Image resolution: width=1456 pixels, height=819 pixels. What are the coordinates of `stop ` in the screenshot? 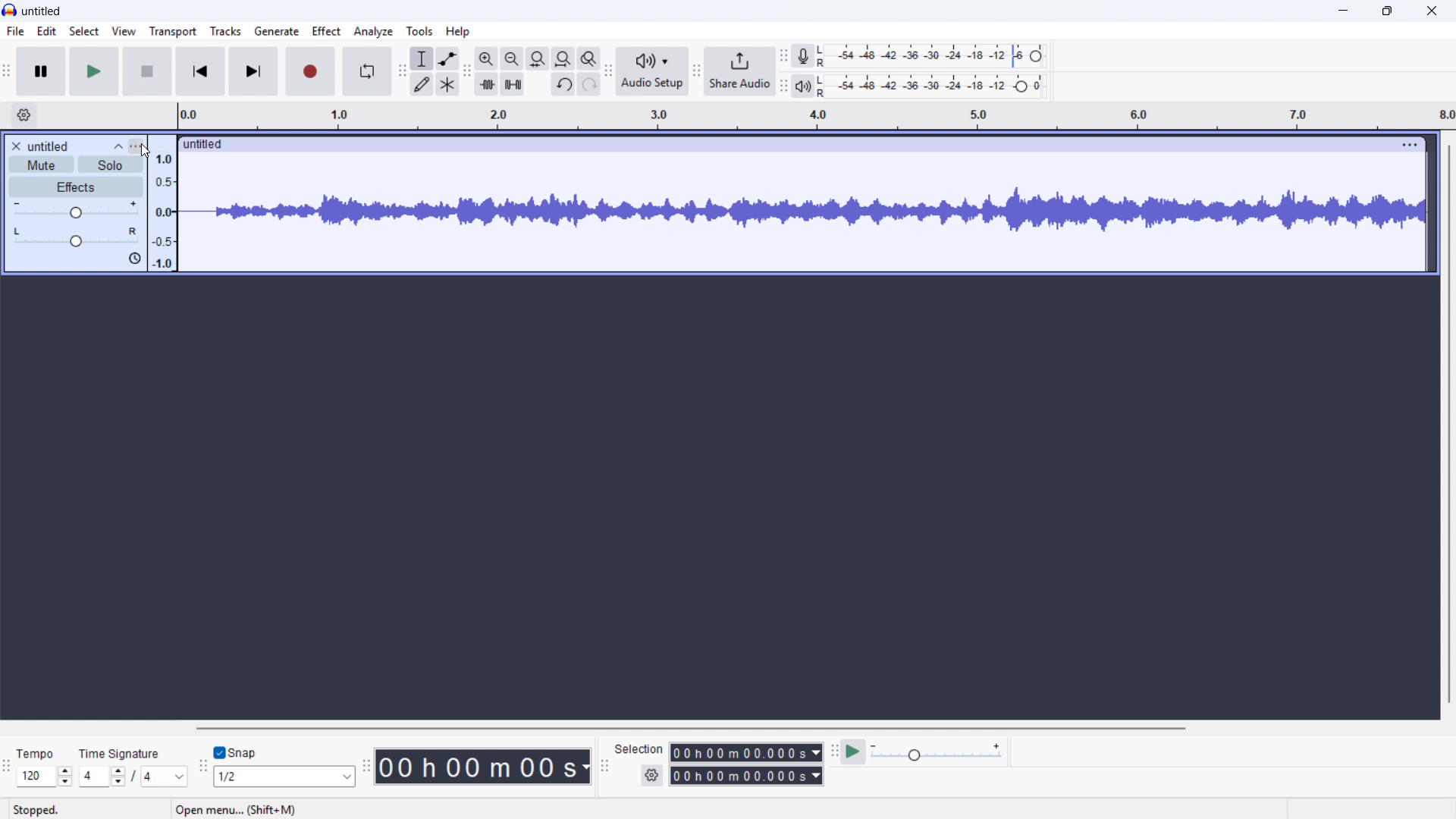 It's located at (147, 72).